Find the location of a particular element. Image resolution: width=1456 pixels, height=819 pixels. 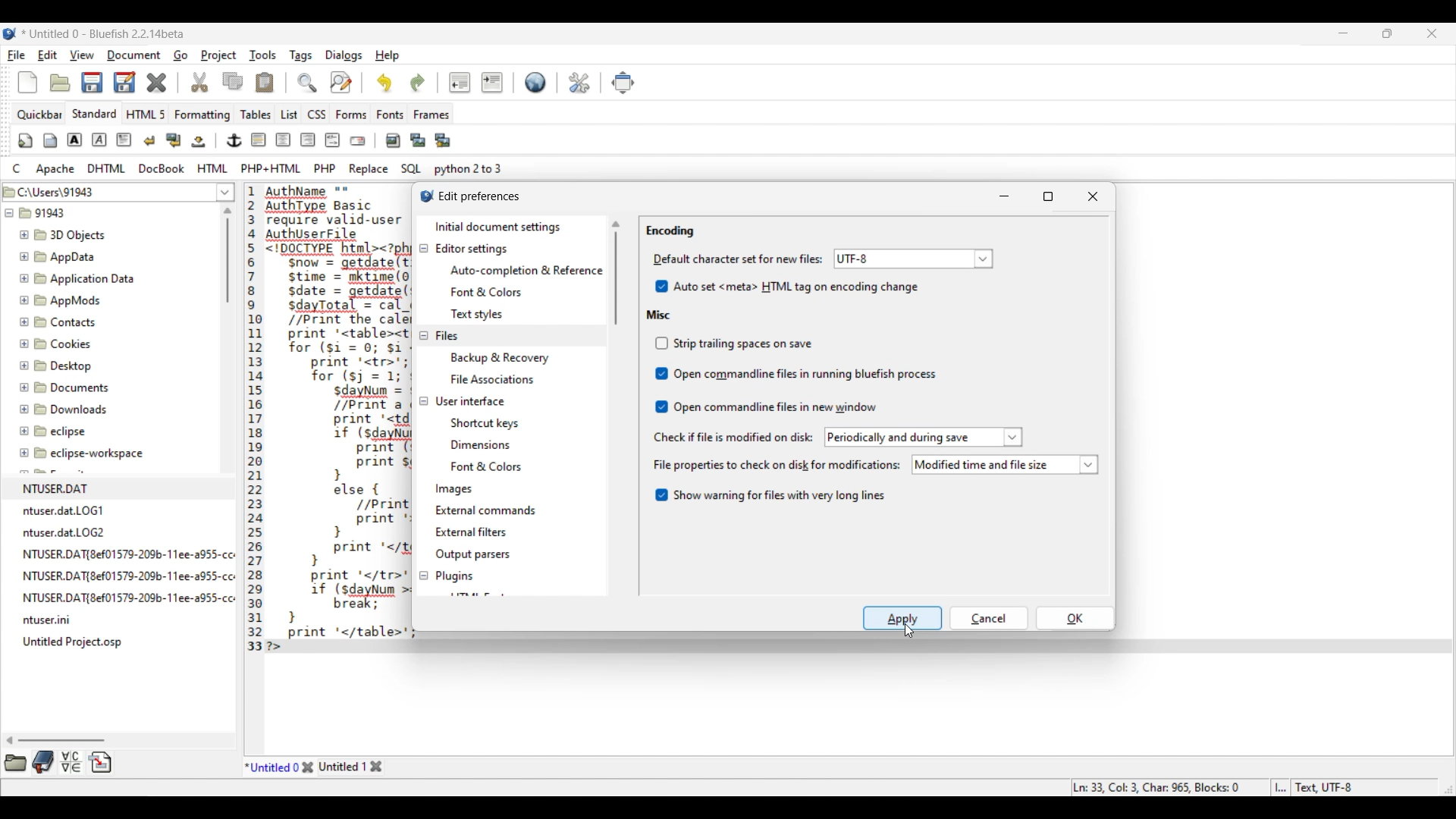

Project name, software name and version is located at coordinates (105, 33).